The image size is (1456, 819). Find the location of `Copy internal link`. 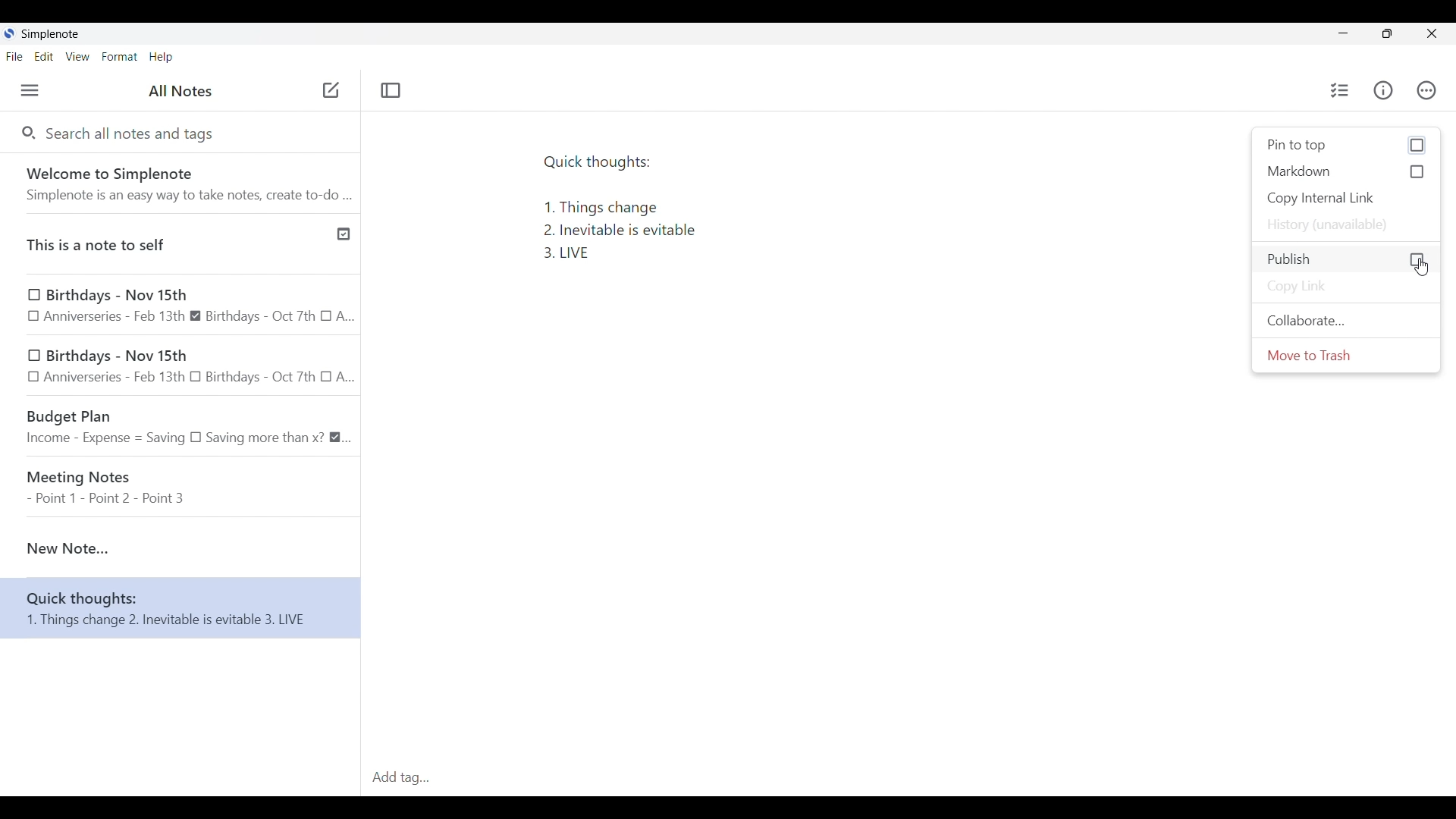

Copy internal link is located at coordinates (1345, 199).